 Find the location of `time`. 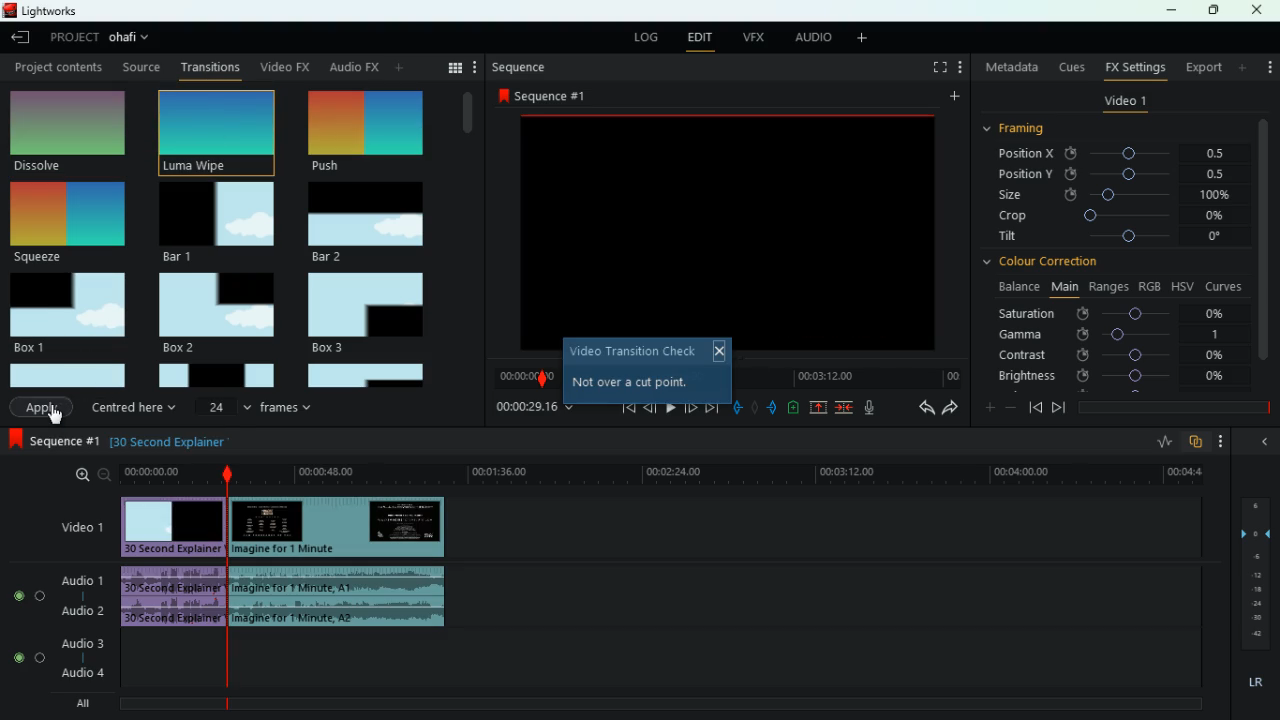

time is located at coordinates (527, 379).